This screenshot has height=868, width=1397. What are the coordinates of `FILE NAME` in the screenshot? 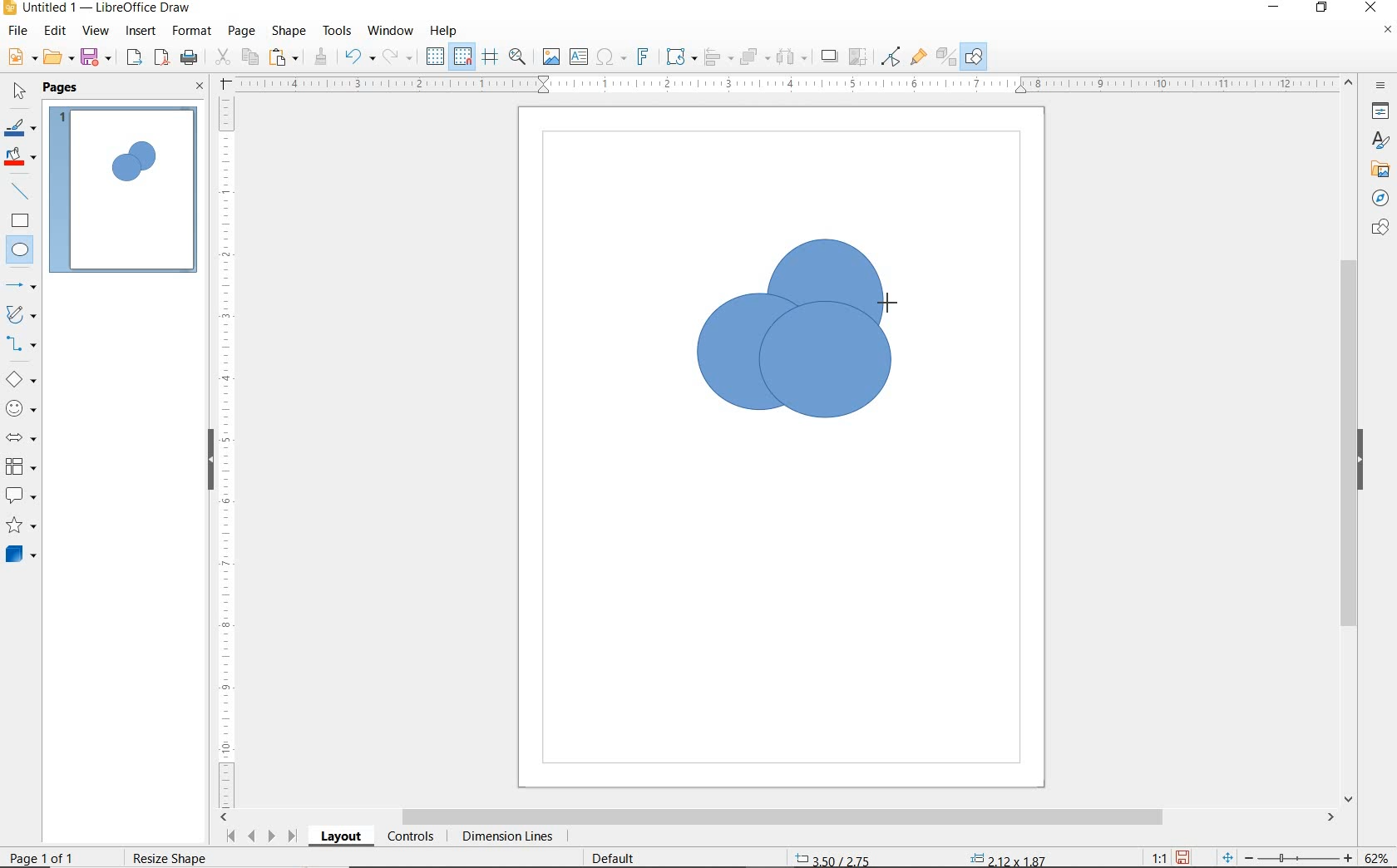 It's located at (96, 9).